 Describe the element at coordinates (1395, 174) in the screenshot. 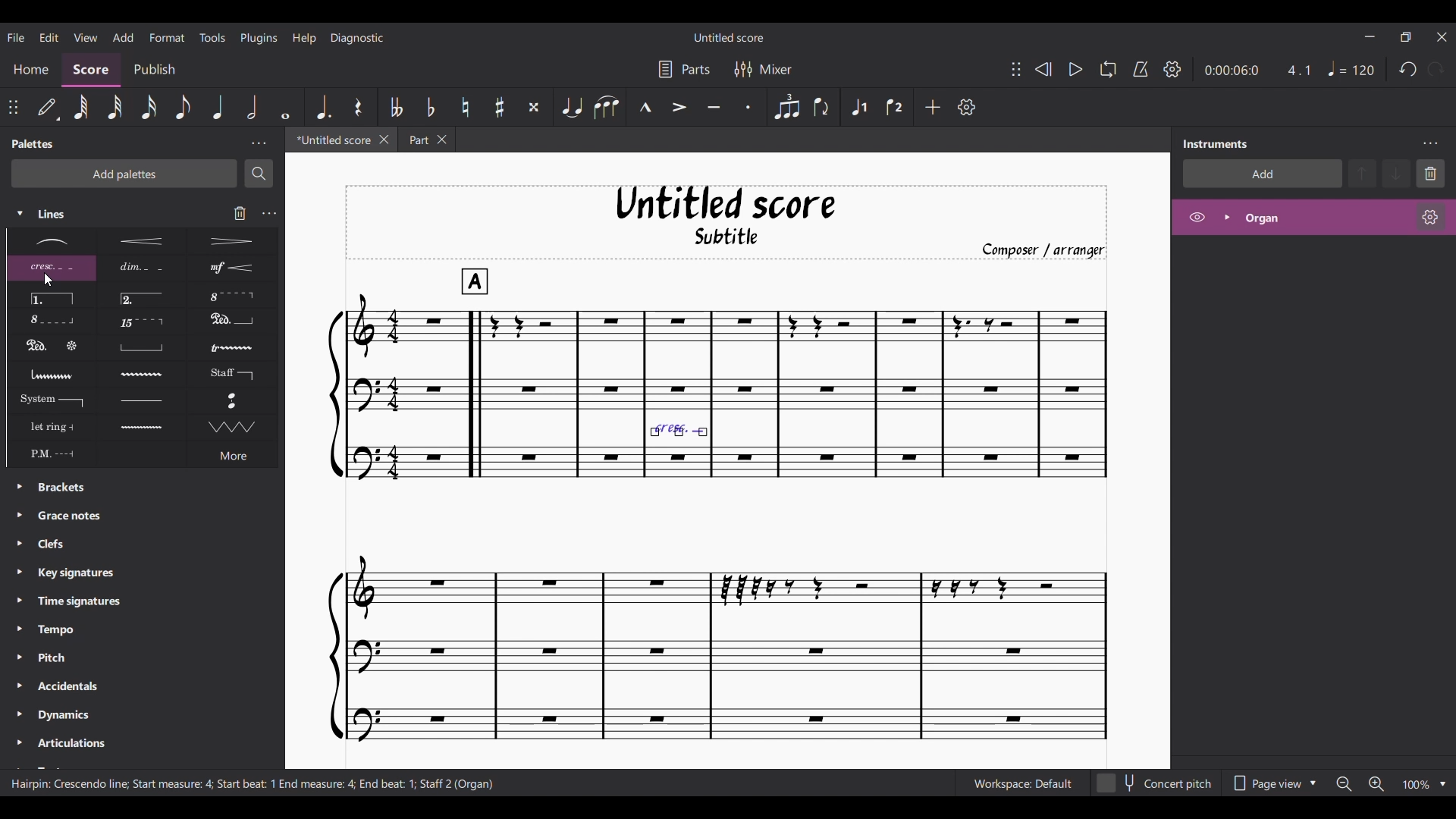

I see `Move down` at that location.